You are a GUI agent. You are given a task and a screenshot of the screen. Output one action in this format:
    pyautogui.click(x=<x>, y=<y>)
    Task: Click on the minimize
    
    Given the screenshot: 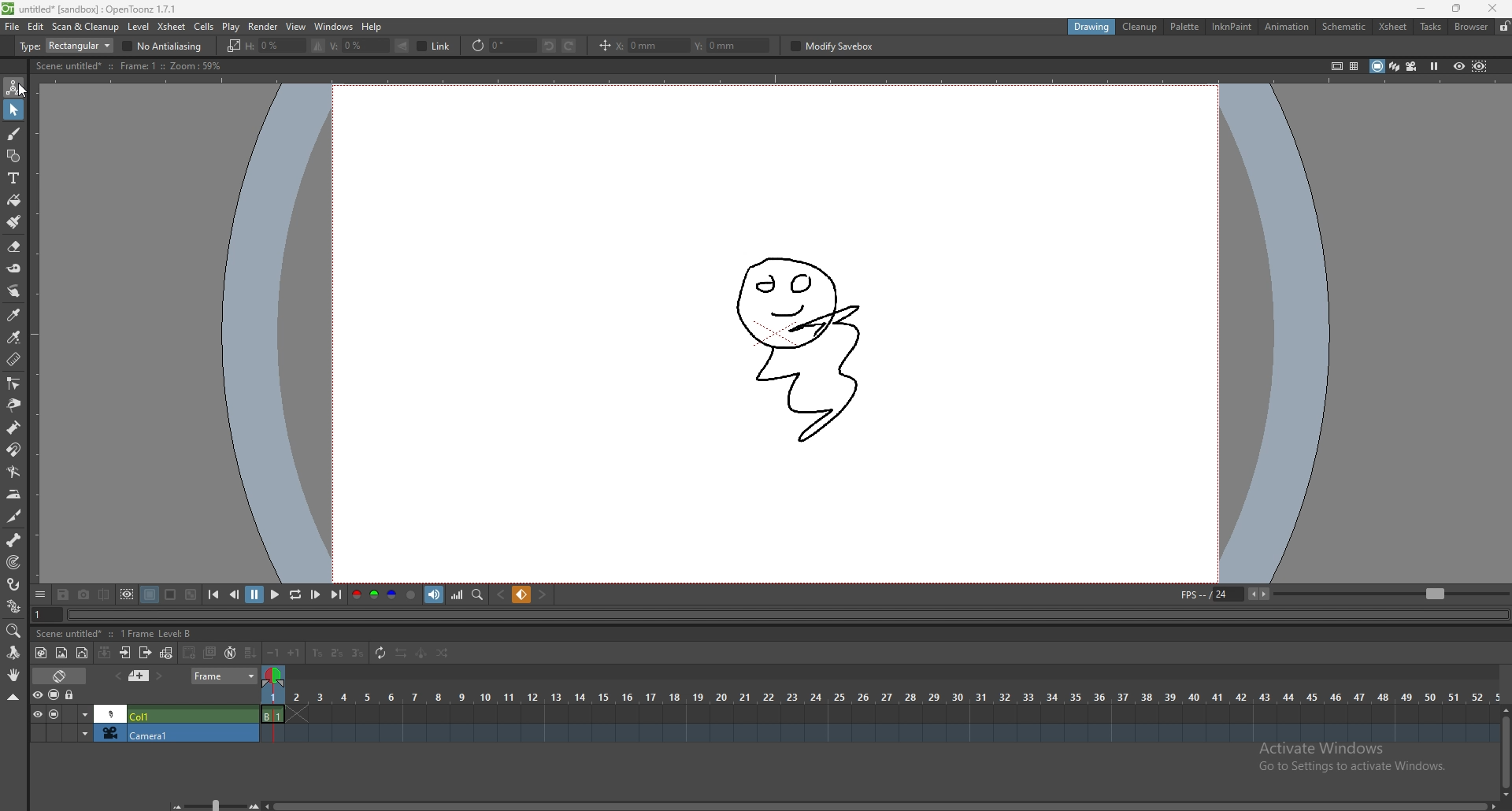 What is the action you would take?
    pyautogui.click(x=1422, y=9)
    